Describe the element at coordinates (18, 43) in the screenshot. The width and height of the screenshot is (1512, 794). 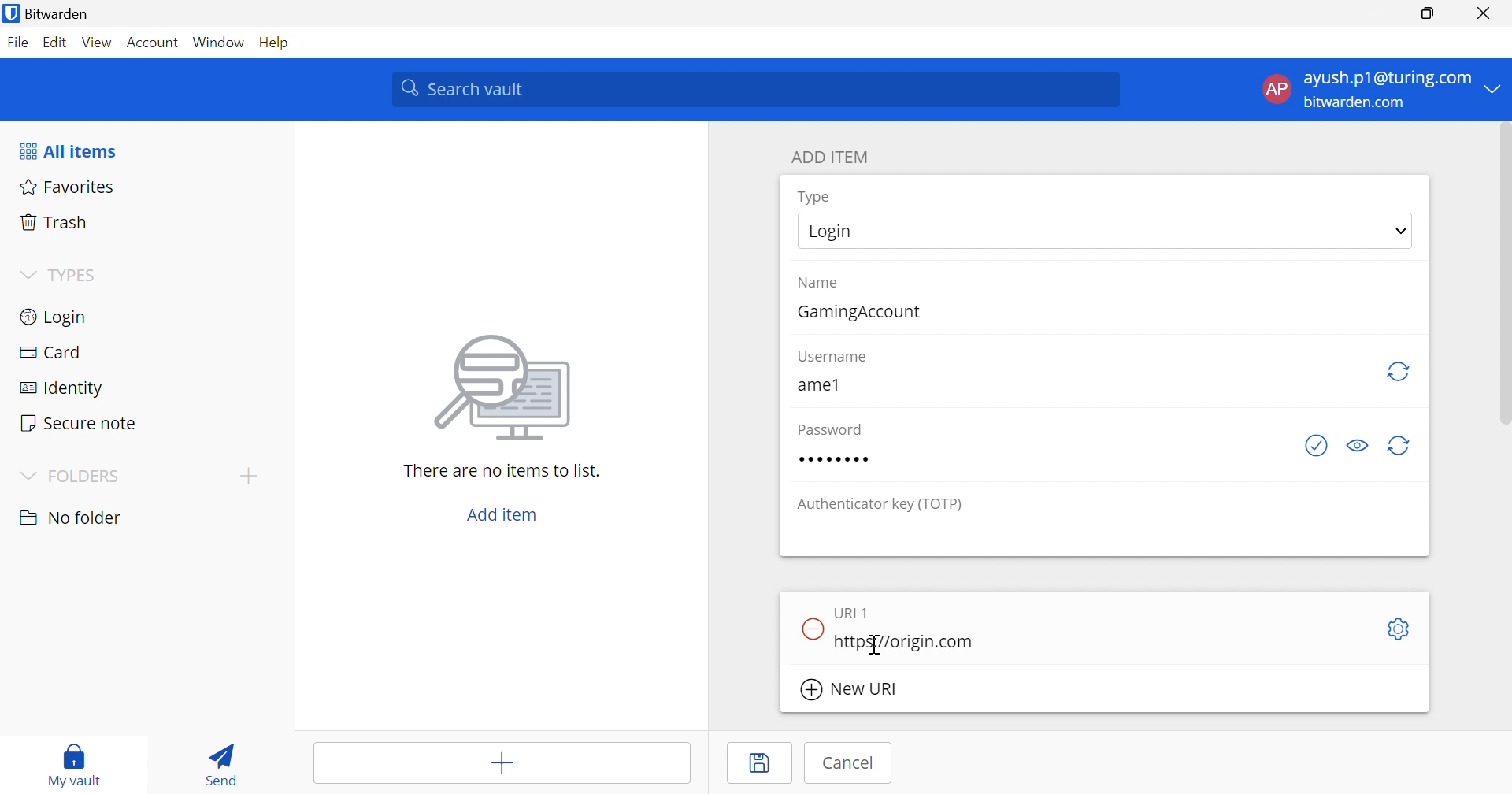
I see `File` at that location.